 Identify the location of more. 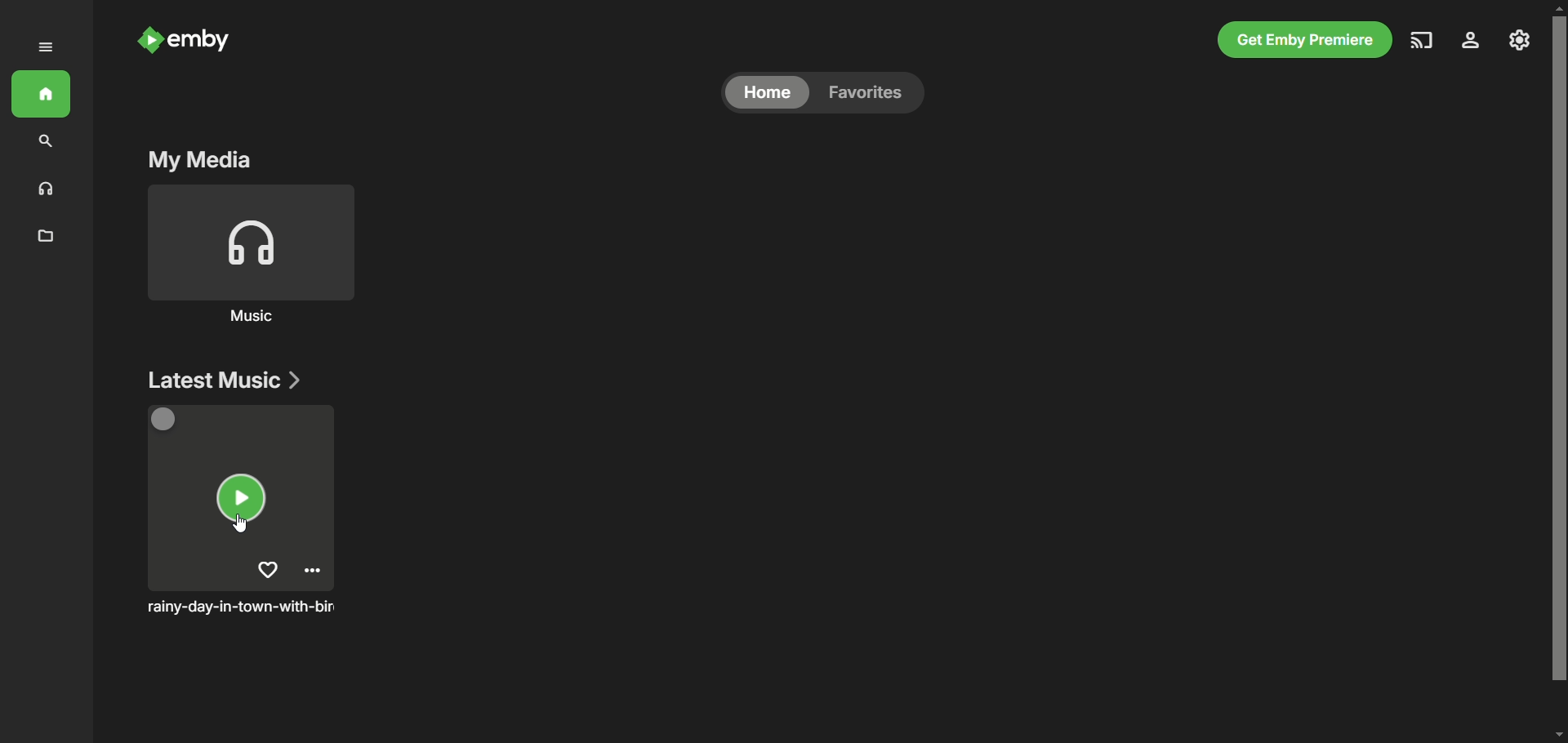
(316, 572).